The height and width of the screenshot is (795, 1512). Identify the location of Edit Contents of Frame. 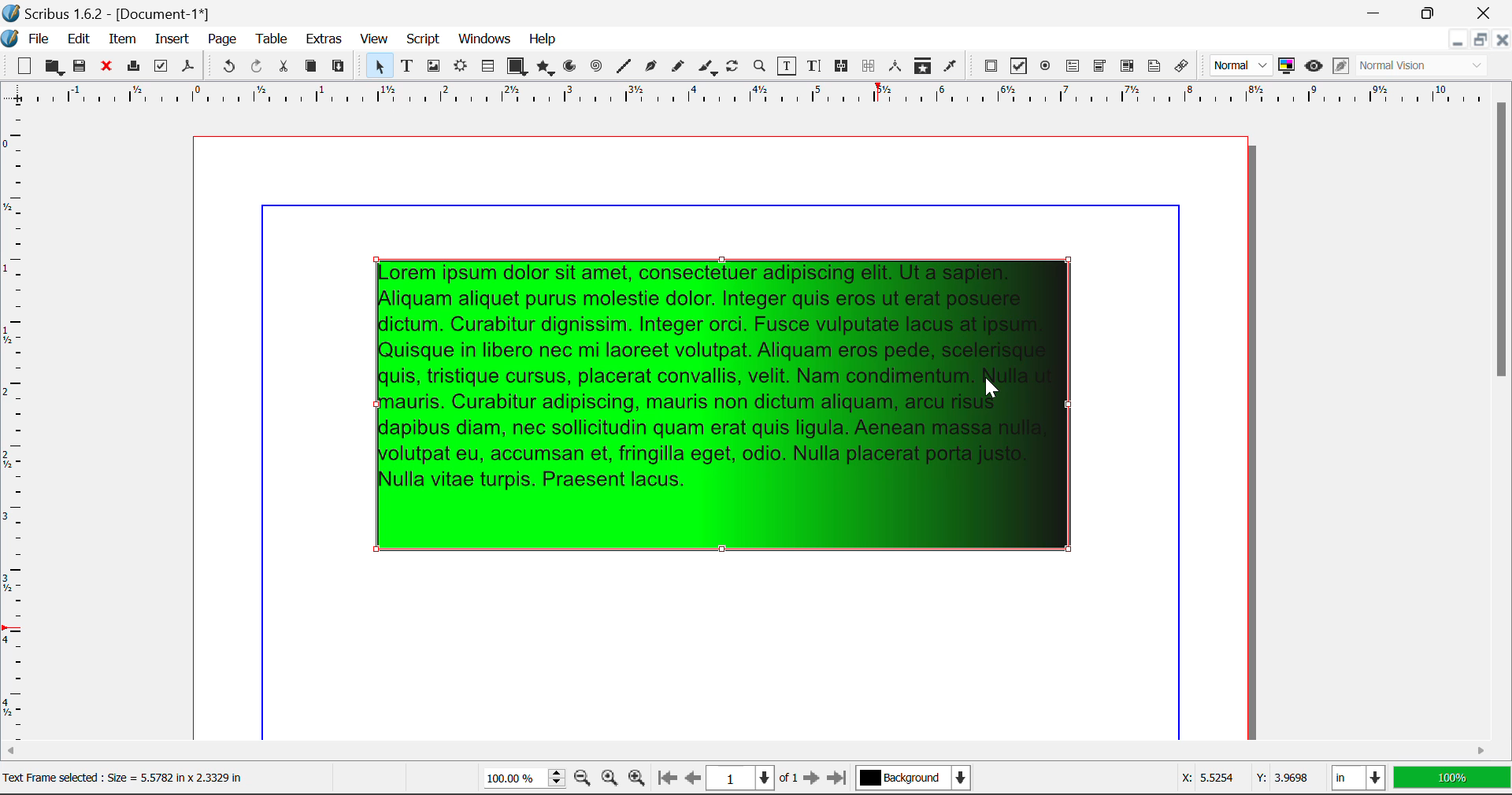
(787, 68).